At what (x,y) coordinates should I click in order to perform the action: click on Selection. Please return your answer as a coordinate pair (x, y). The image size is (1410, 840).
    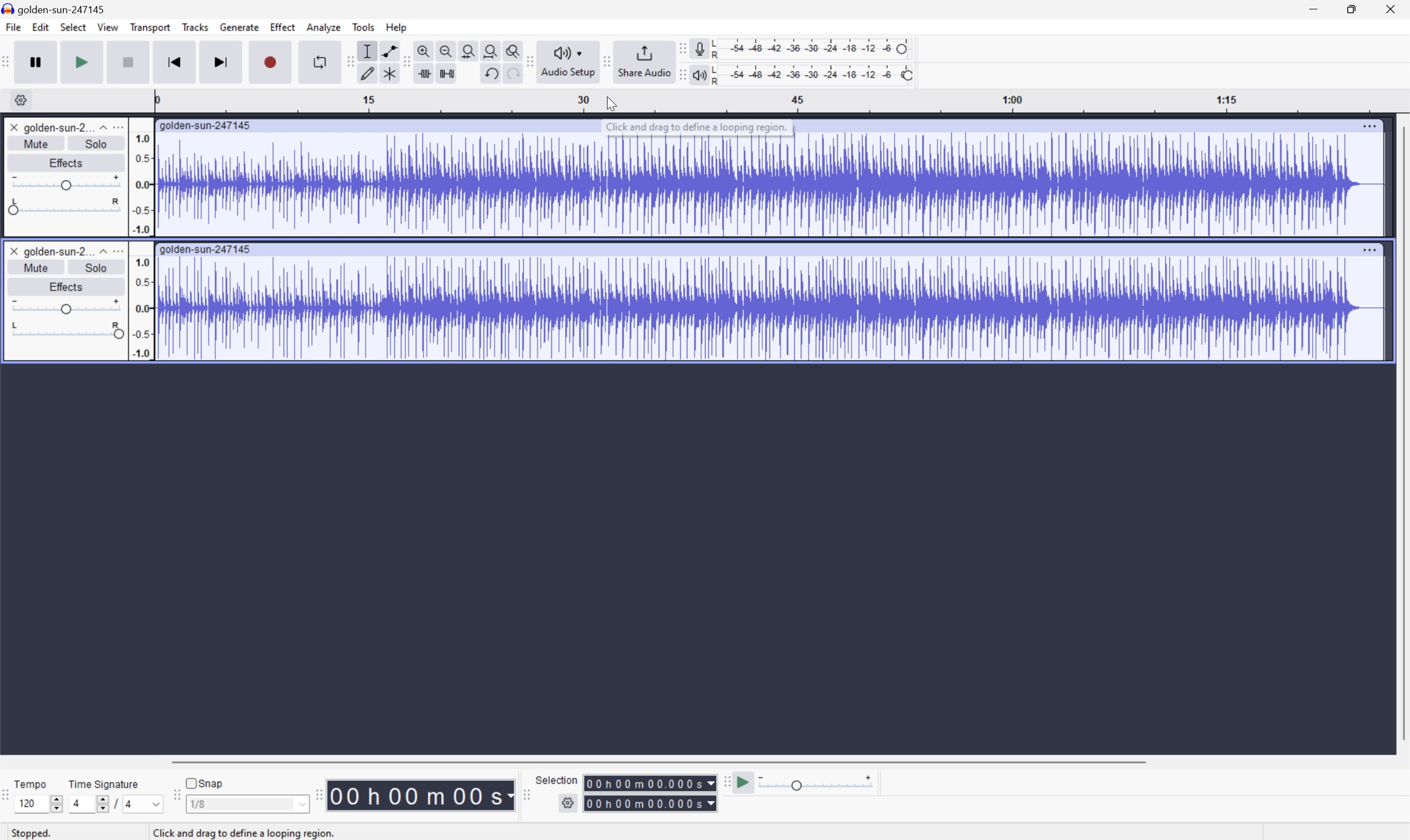
    Looking at the image, I should click on (558, 779).